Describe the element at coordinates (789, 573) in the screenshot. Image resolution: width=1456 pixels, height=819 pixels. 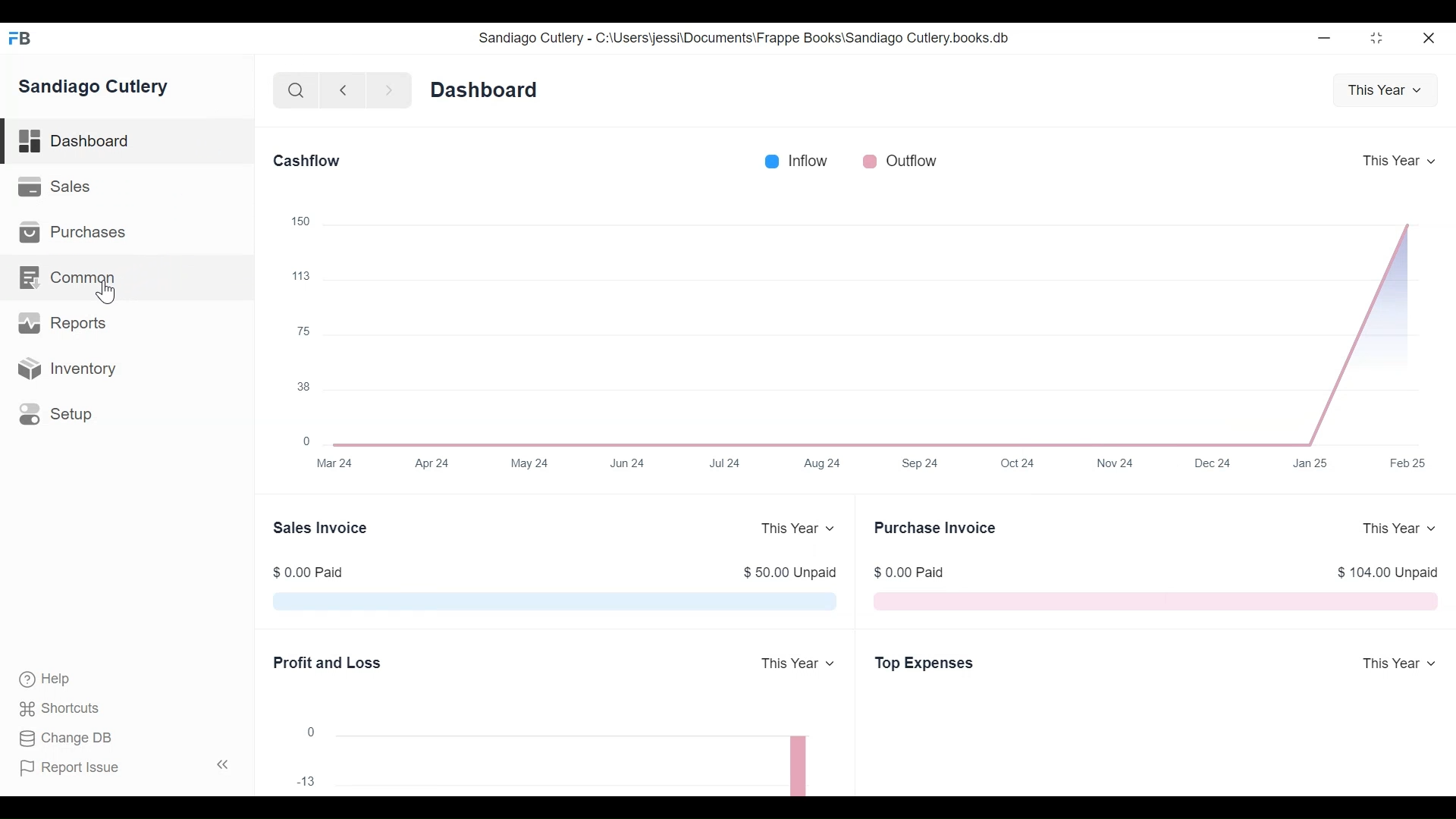
I see `$50.00 Unpaid` at that location.